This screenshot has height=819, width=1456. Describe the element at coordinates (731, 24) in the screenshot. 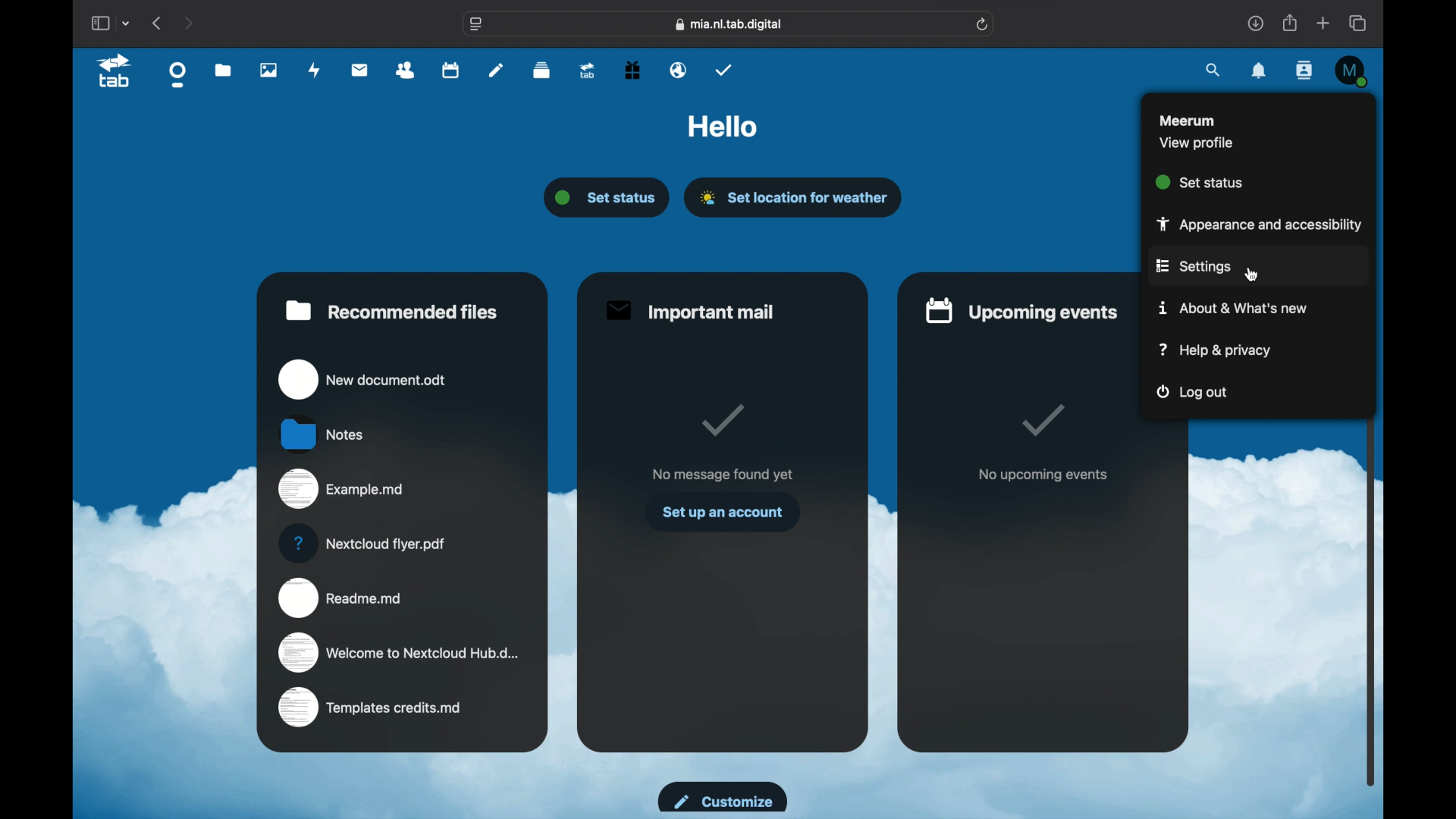

I see `web address` at that location.